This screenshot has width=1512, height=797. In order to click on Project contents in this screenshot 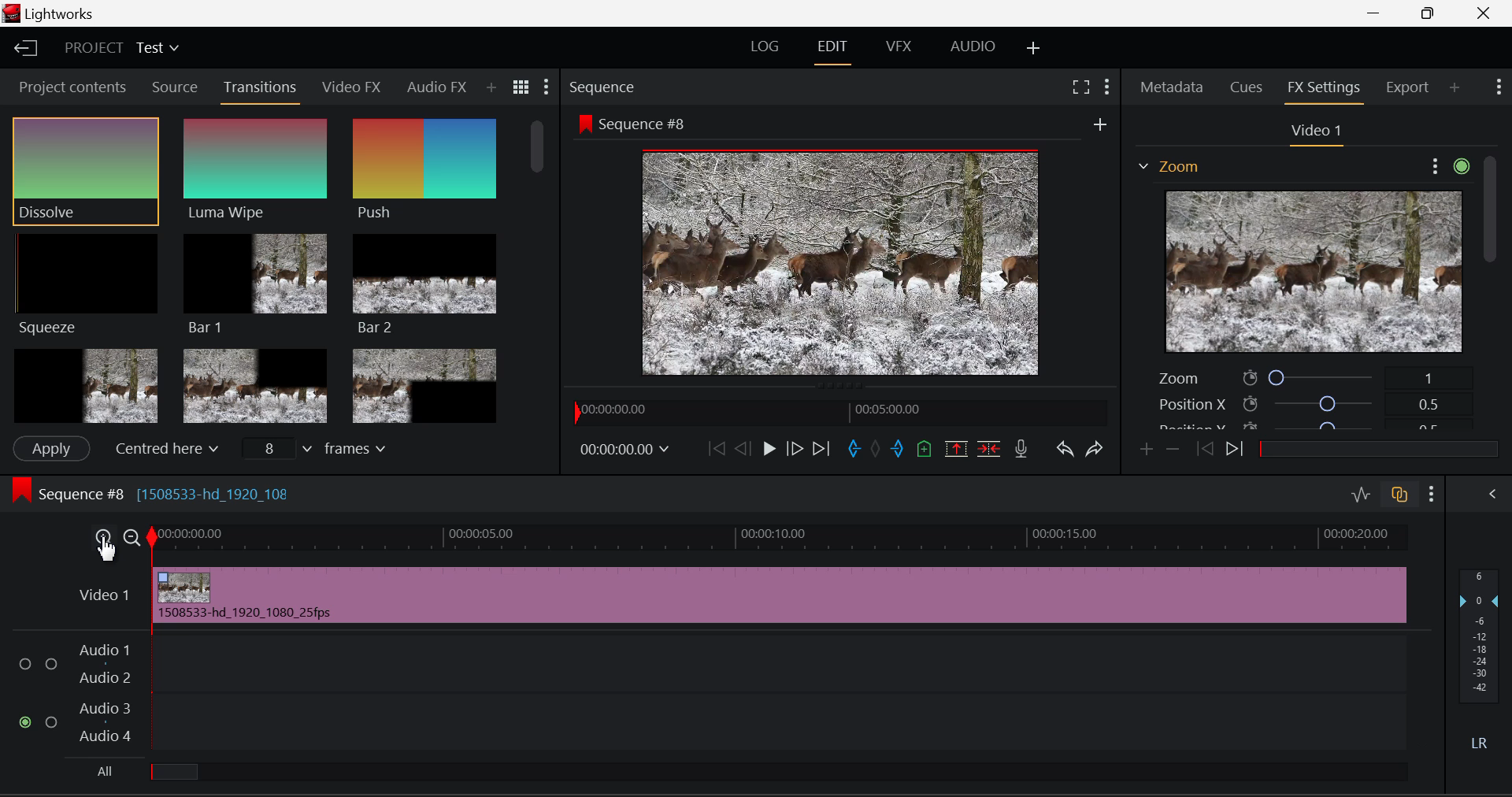, I will do `click(65, 87)`.